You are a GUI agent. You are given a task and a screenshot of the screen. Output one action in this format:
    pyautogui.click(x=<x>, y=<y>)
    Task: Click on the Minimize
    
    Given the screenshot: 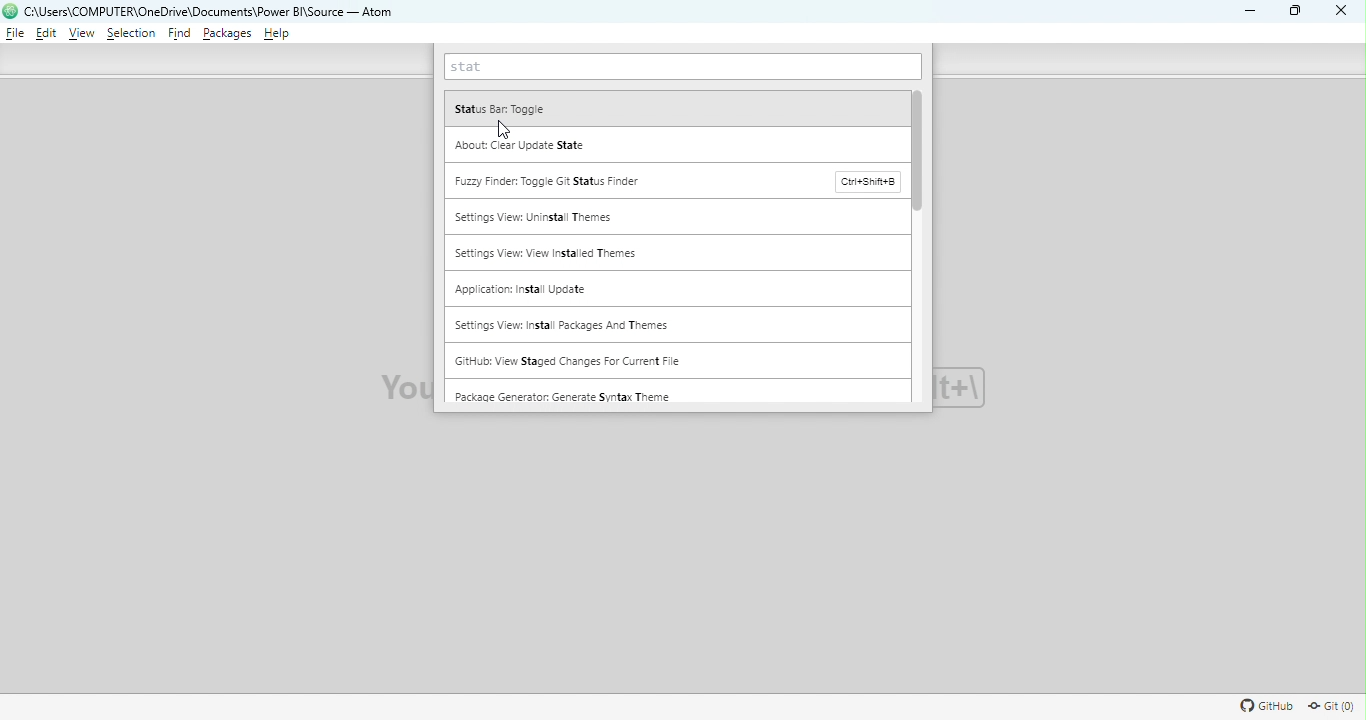 What is the action you would take?
    pyautogui.click(x=1246, y=10)
    